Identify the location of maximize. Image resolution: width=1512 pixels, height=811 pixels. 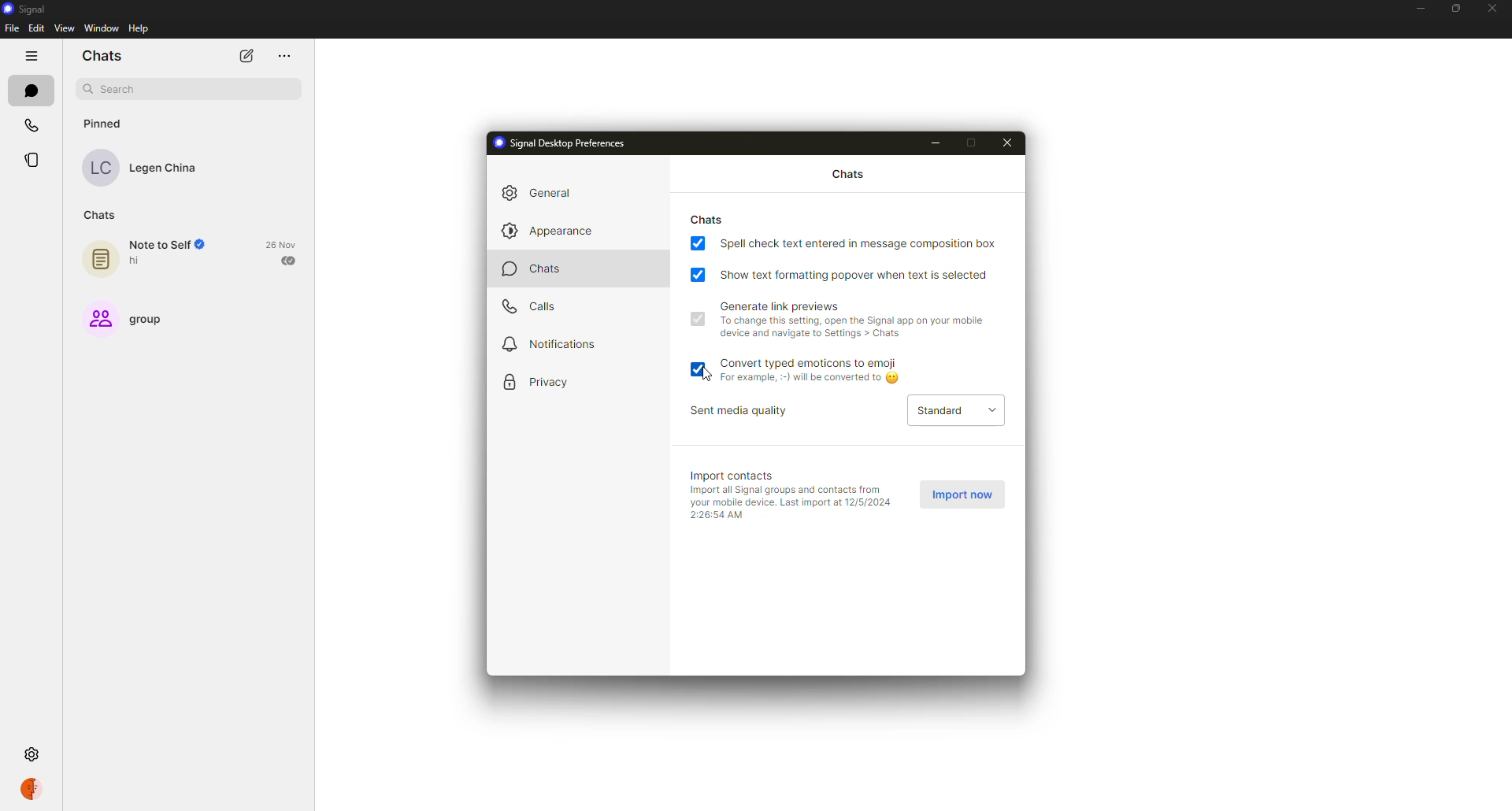
(1453, 9).